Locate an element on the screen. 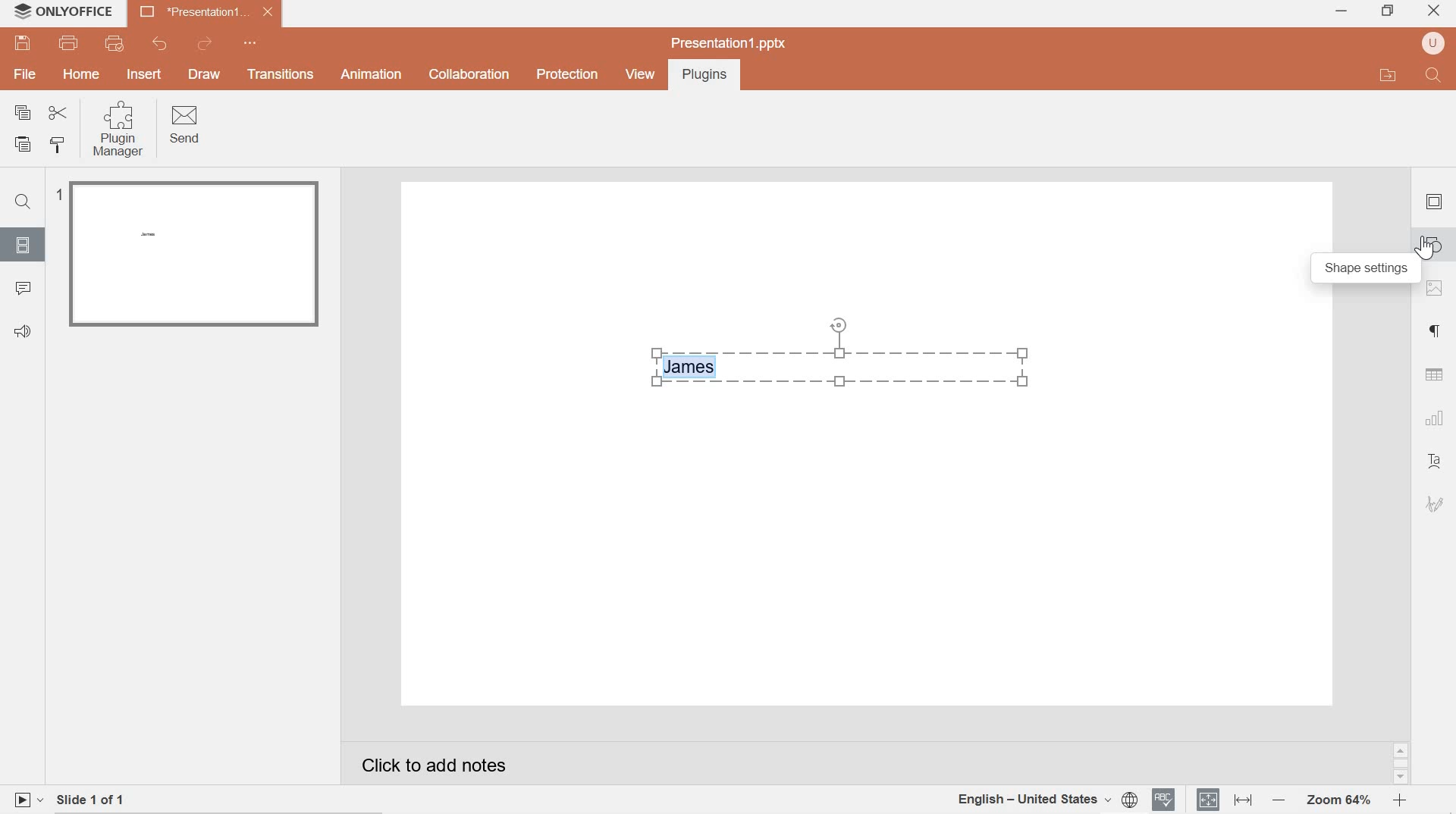 This screenshot has width=1456, height=814. system name is located at coordinates (81, 11).